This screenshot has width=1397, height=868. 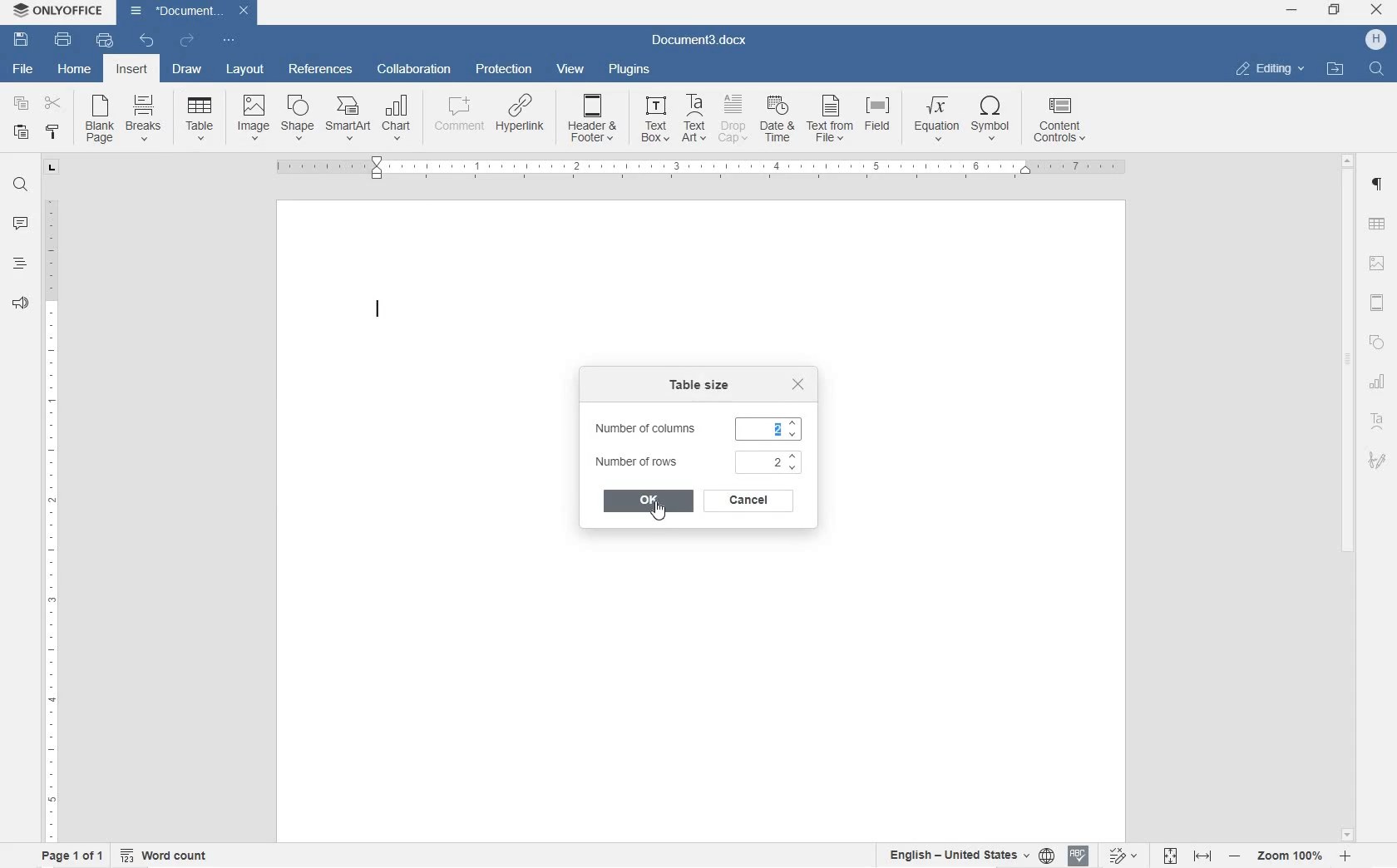 What do you see at coordinates (417, 70) in the screenshot?
I see `COLLABORATION` at bounding box center [417, 70].